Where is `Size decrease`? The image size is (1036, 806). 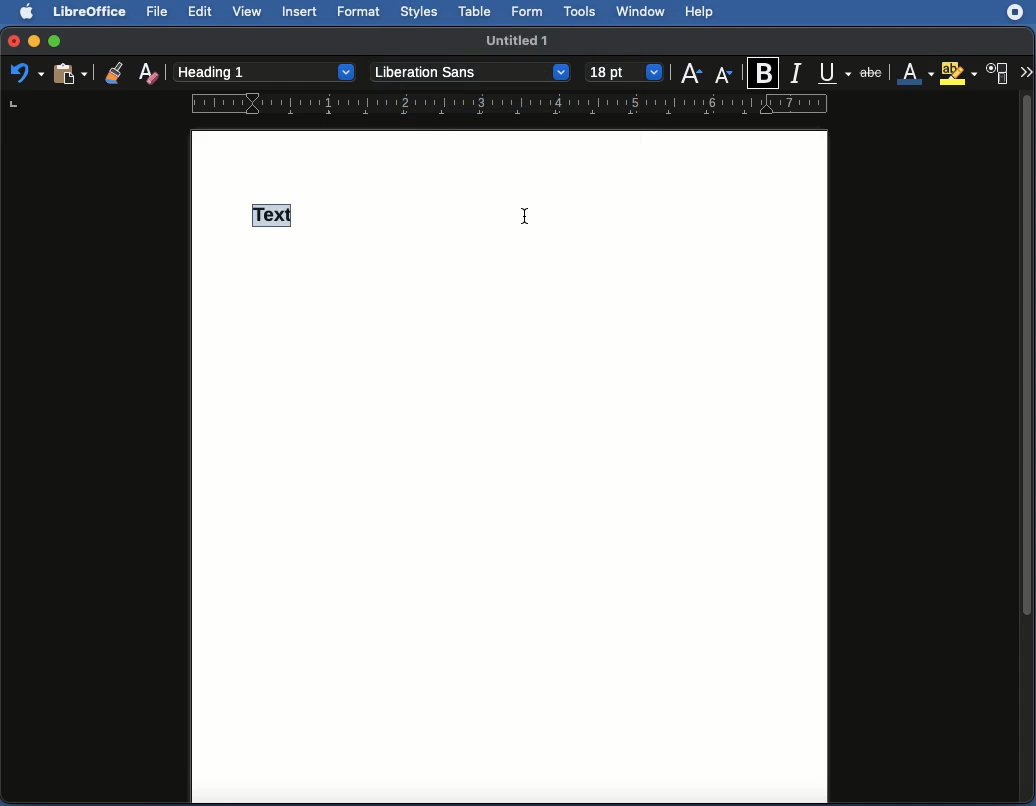 Size decrease is located at coordinates (725, 74).